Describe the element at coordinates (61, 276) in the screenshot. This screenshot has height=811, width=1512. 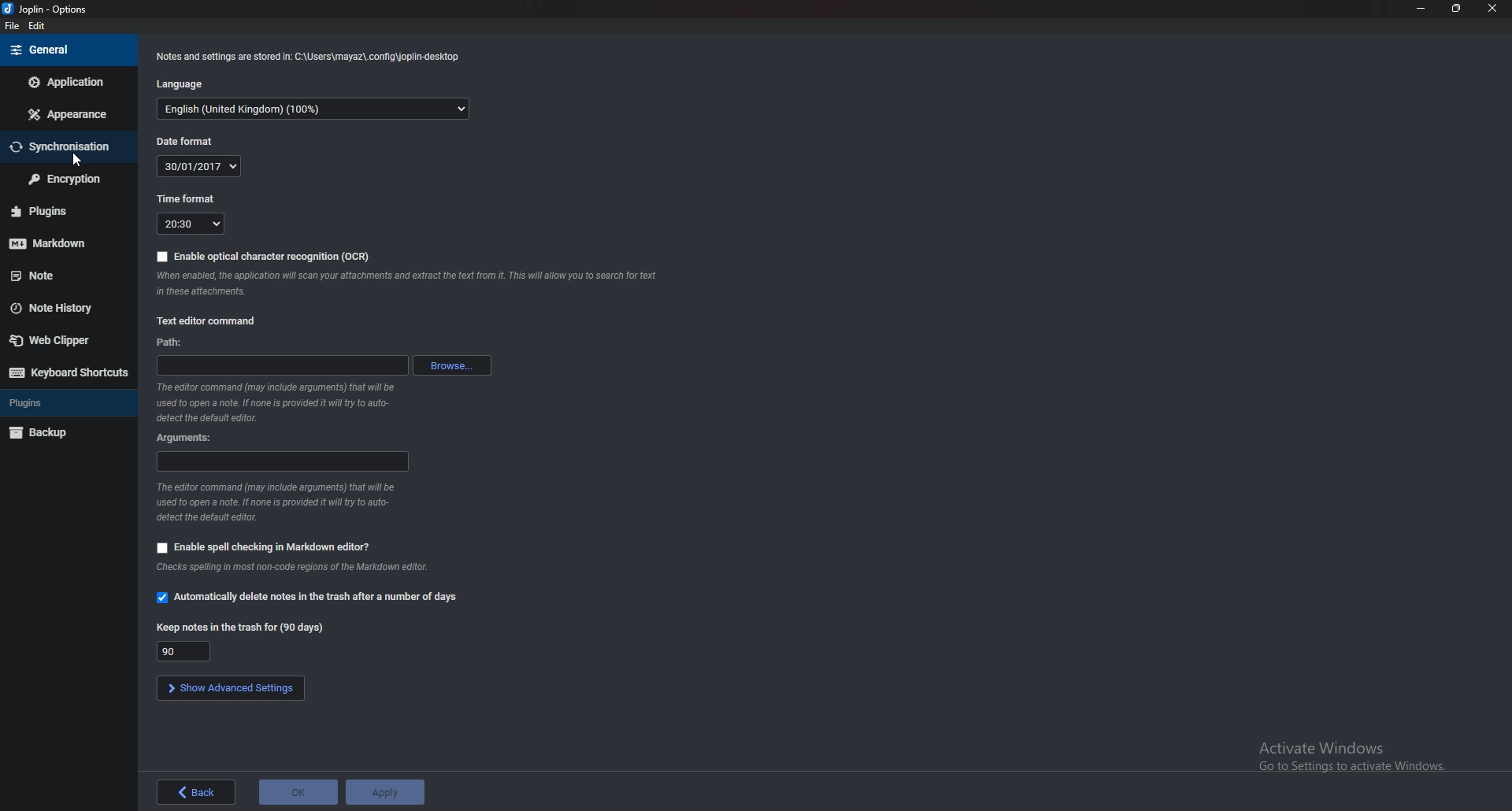
I see `note` at that location.